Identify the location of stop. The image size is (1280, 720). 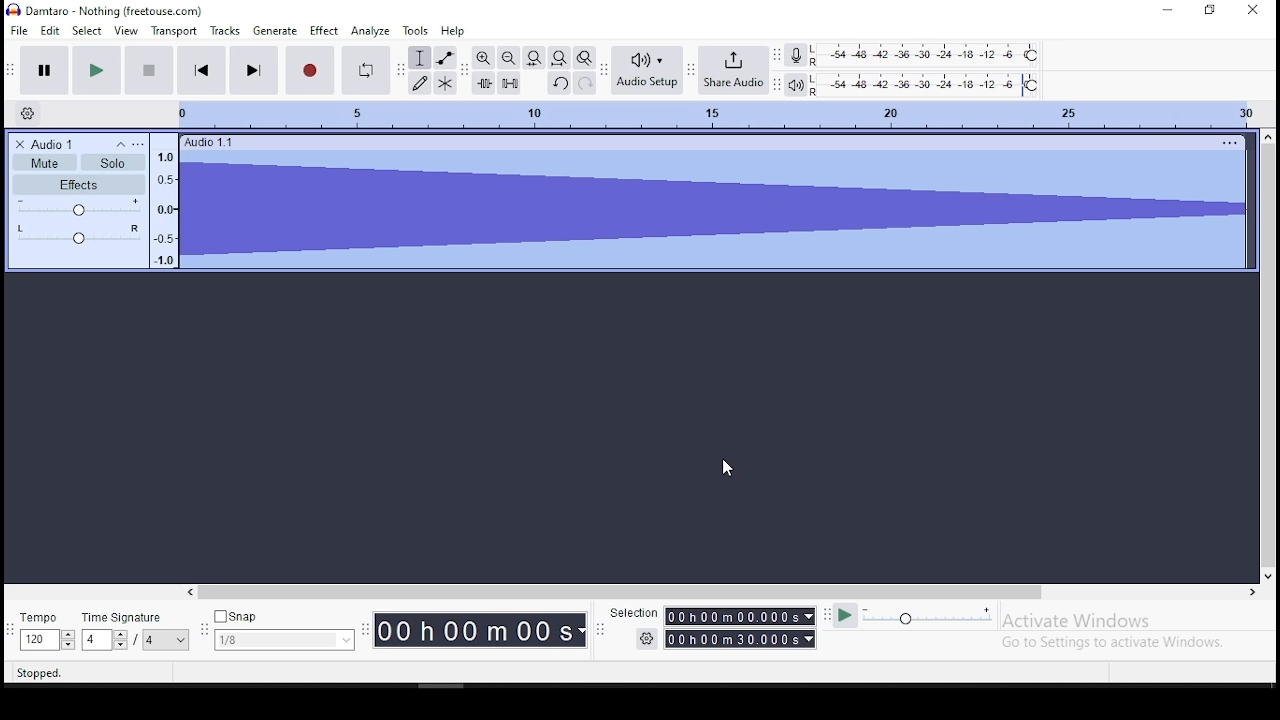
(149, 69).